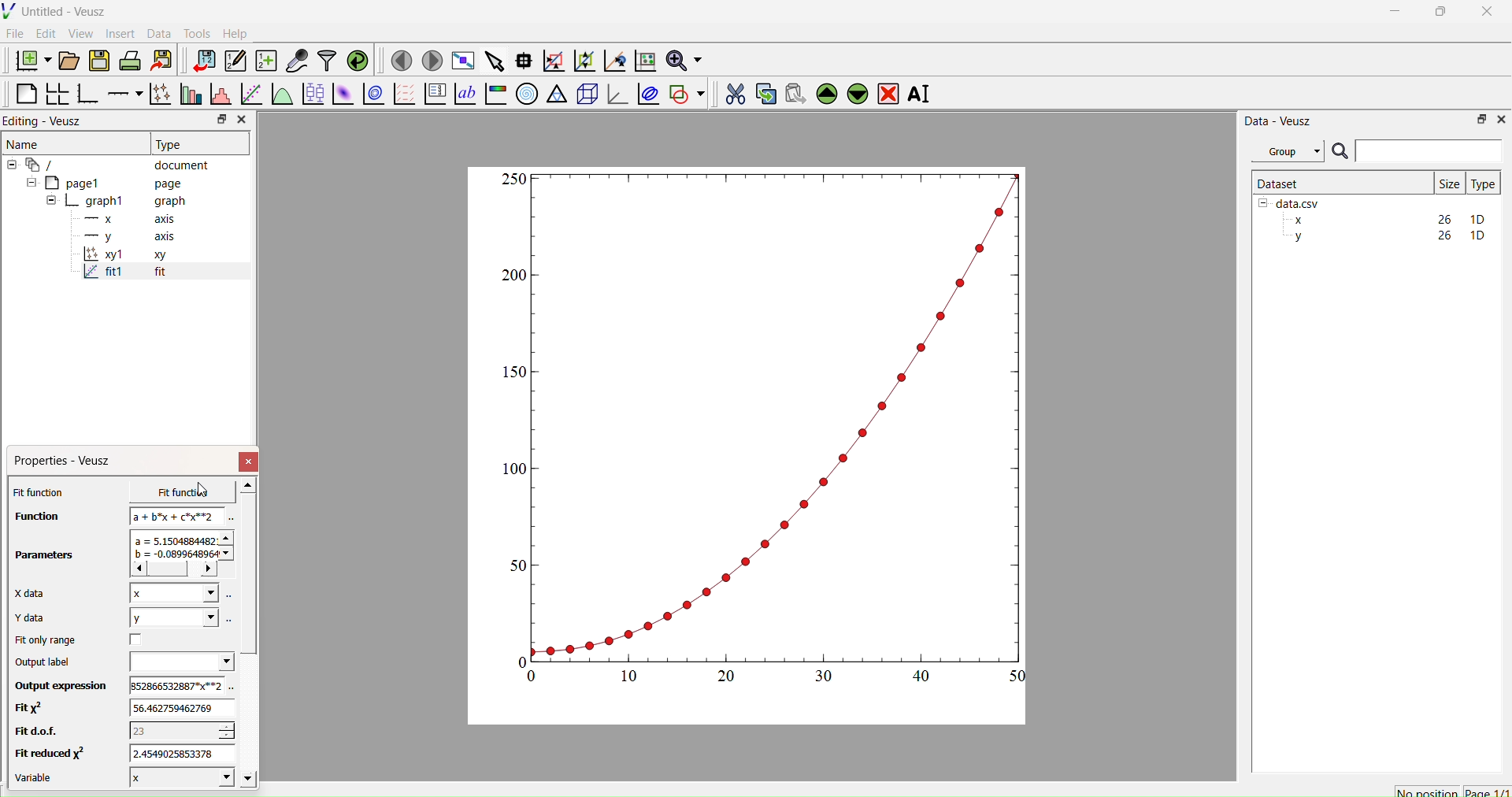  I want to click on Plot points with lines and errorbars, so click(158, 94).